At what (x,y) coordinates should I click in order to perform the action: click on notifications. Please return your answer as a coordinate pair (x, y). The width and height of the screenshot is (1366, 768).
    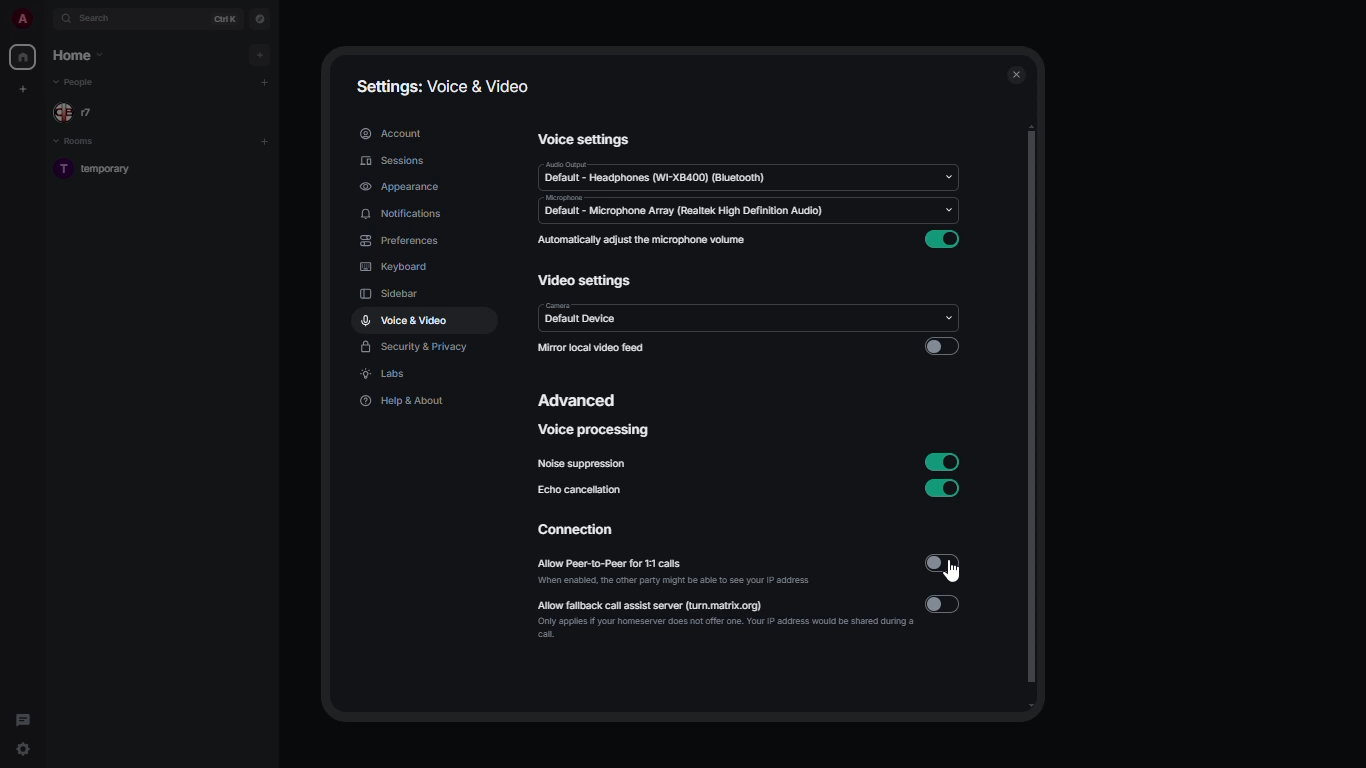
    Looking at the image, I should click on (402, 215).